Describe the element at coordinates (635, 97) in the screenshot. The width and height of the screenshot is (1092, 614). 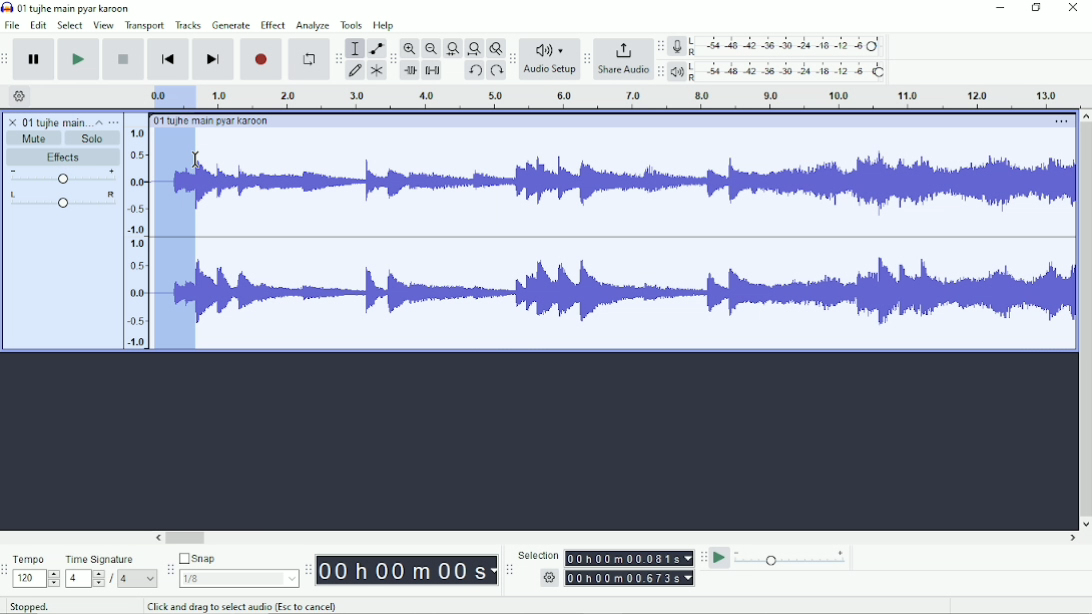
I see `Play duration` at that location.